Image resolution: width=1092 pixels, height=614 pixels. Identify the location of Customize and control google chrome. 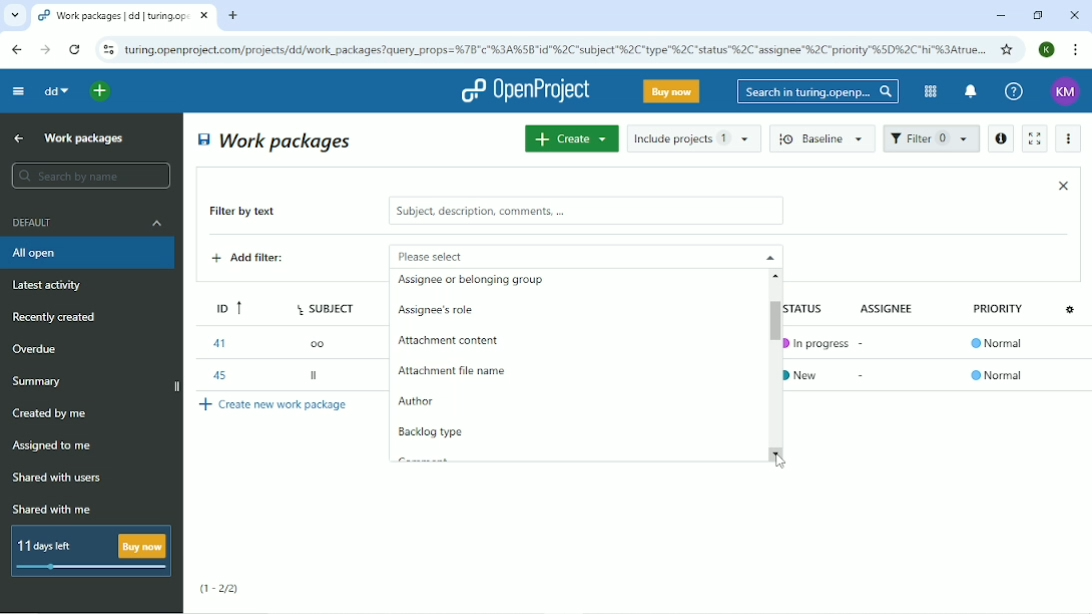
(1077, 50).